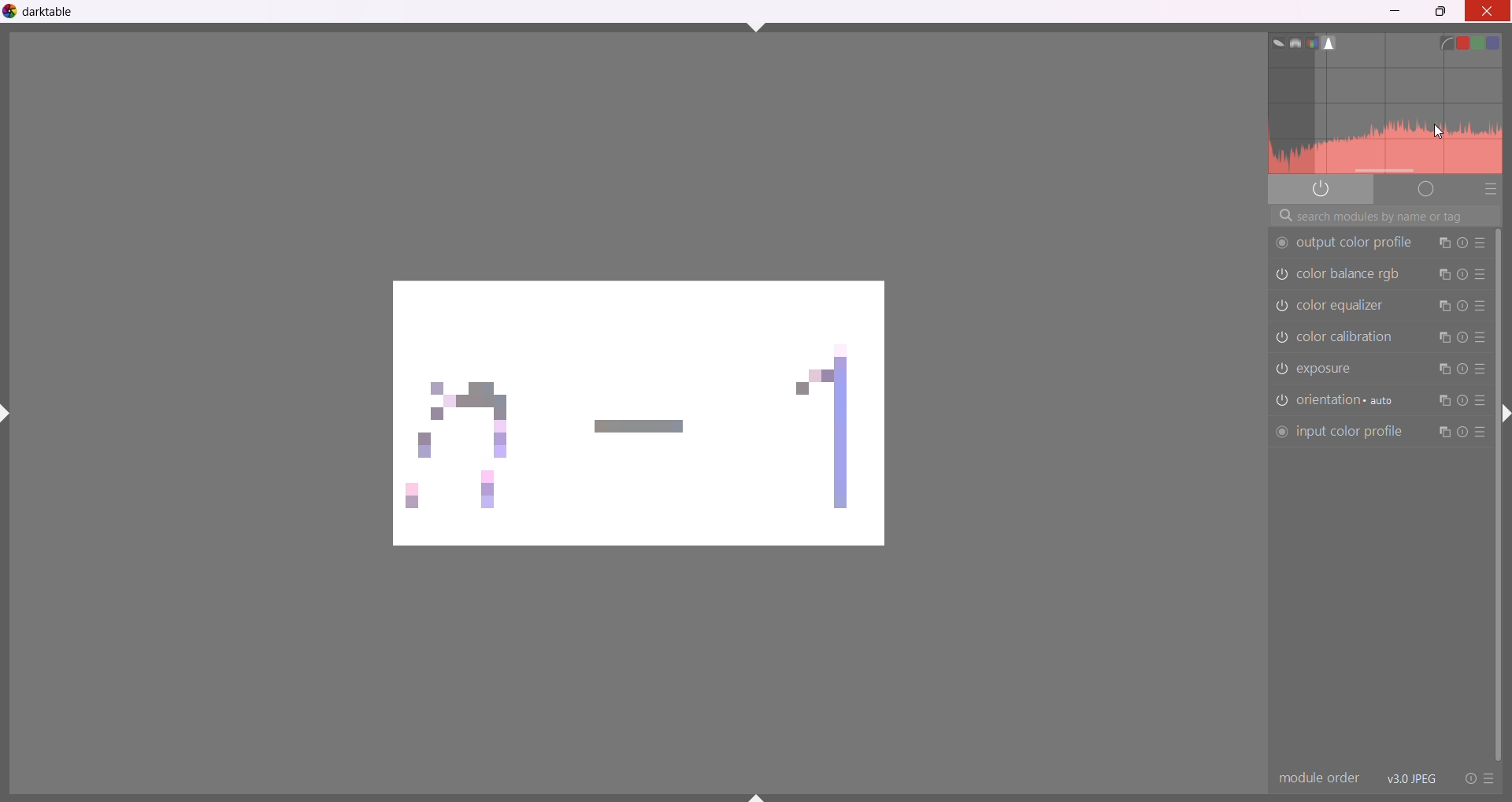 This screenshot has height=802, width=1512. What do you see at coordinates (1489, 779) in the screenshot?
I see `preset` at bounding box center [1489, 779].